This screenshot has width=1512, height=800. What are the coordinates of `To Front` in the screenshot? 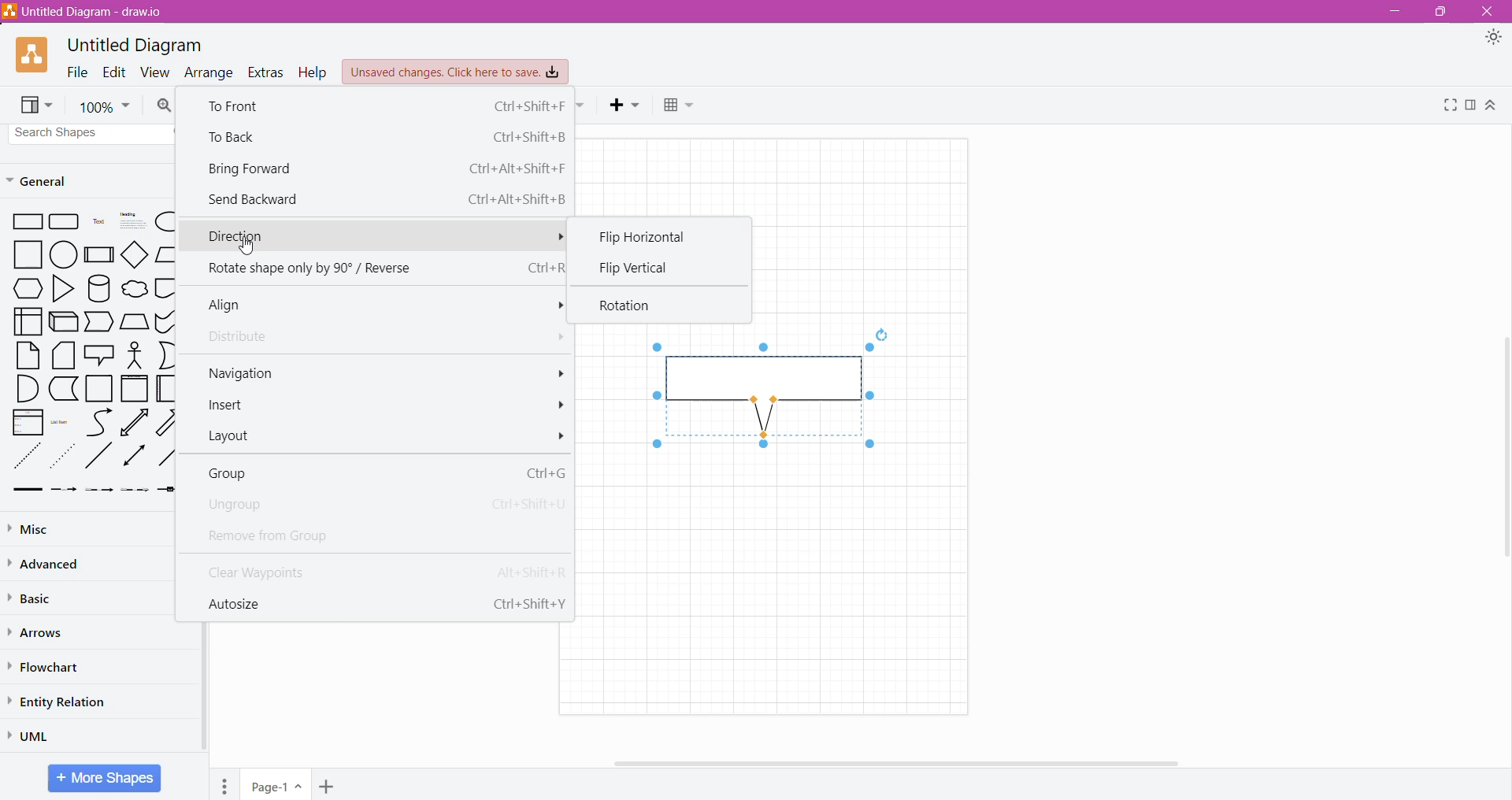 It's located at (383, 106).